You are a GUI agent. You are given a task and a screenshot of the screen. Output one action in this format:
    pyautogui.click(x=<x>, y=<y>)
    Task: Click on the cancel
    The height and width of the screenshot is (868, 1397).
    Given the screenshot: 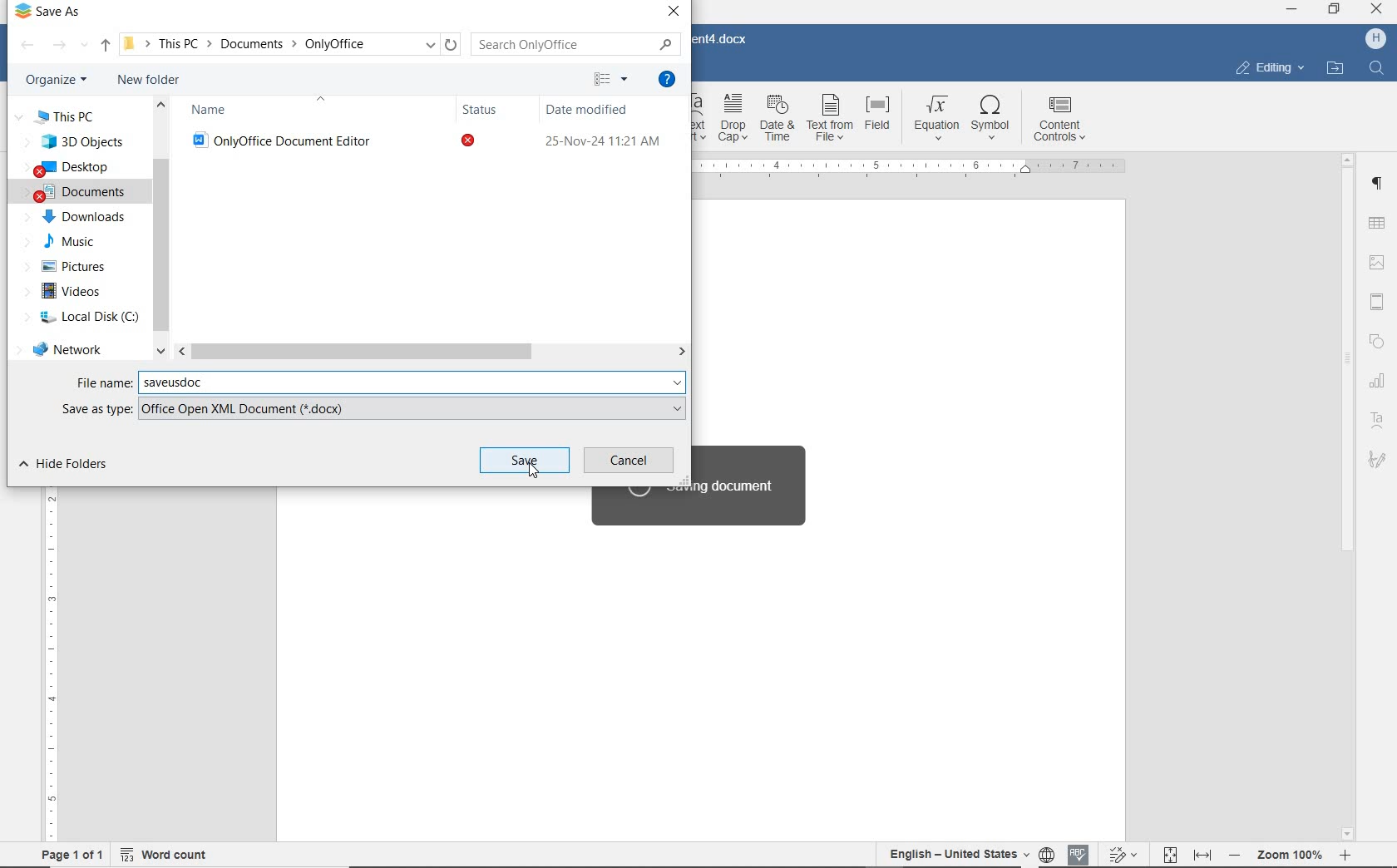 What is the action you would take?
    pyautogui.click(x=632, y=462)
    